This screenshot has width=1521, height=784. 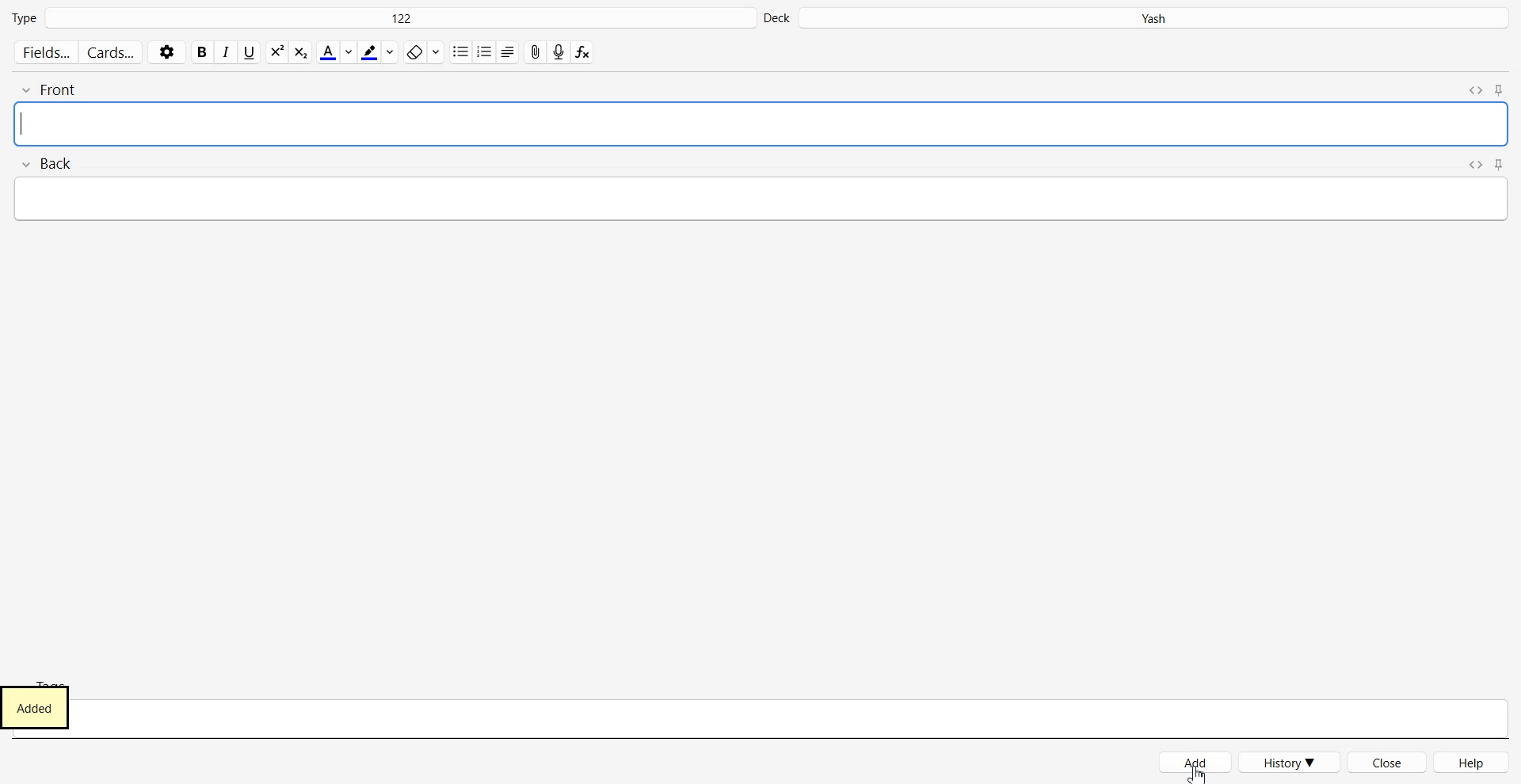 What do you see at coordinates (227, 52) in the screenshot?
I see `Italic` at bounding box center [227, 52].